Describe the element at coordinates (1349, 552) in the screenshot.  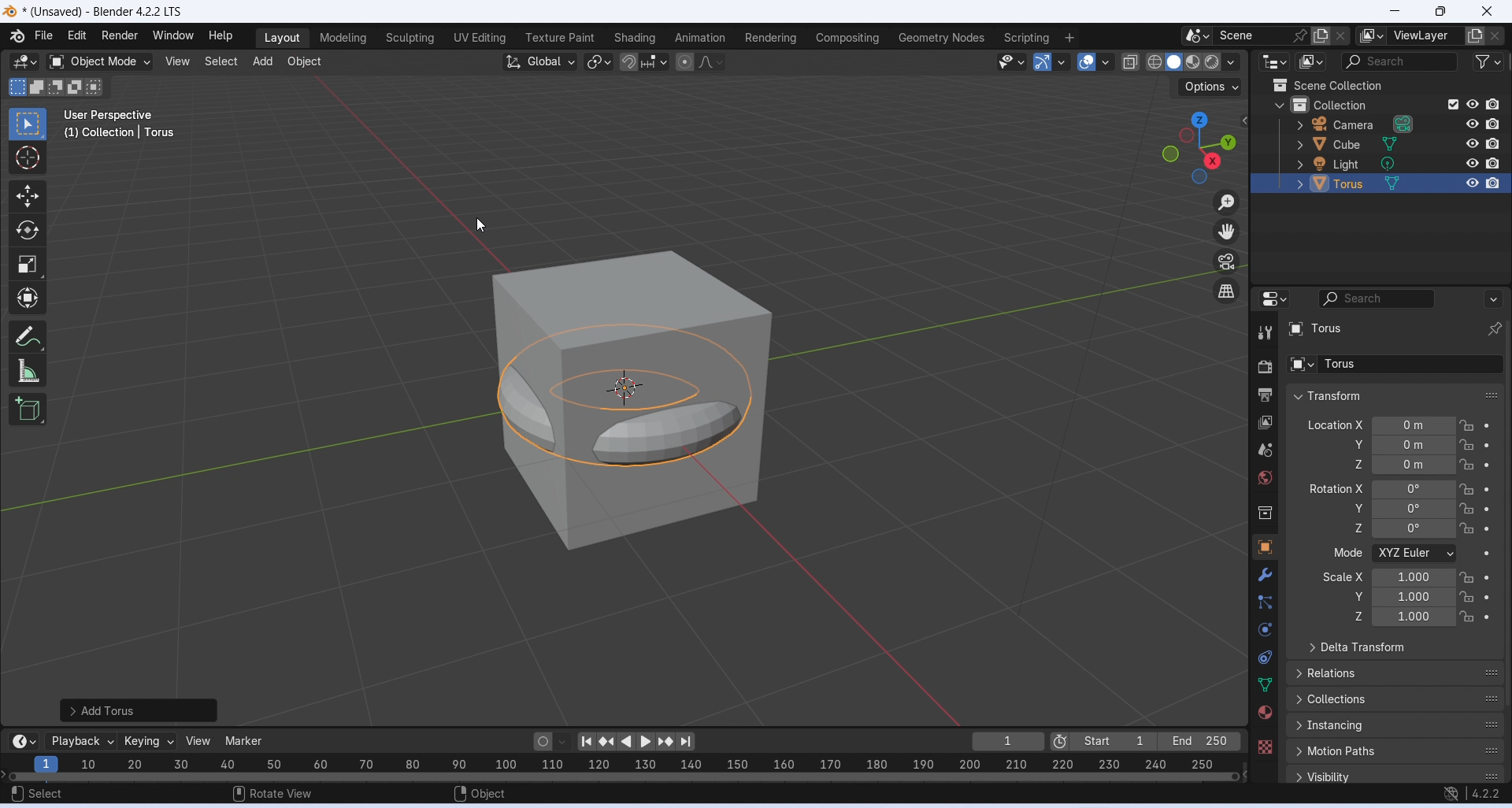
I see `Mode` at that location.